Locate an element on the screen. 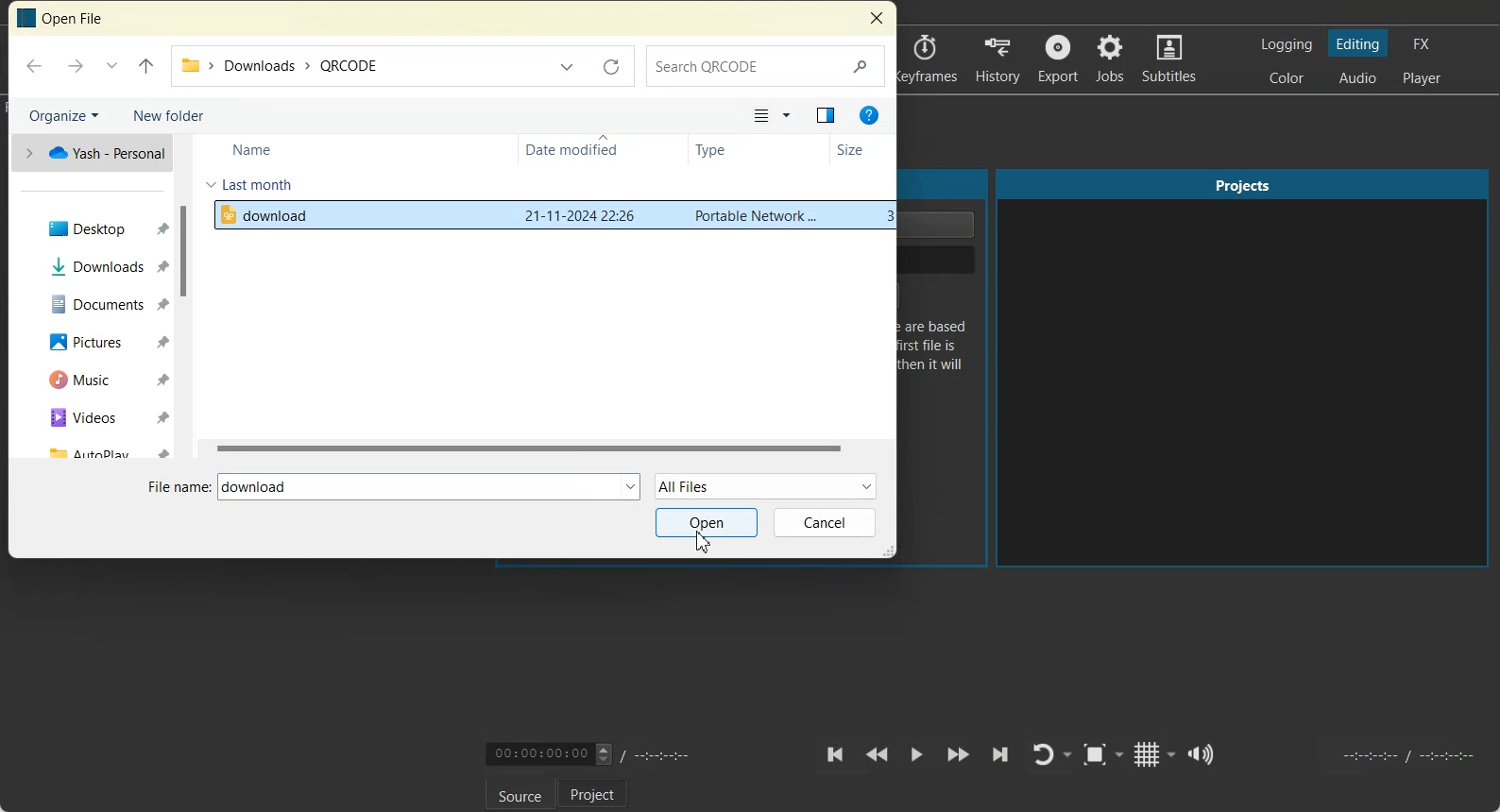 The image size is (1500, 812). Toggle paly or pause is located at coordinates (915, 755).